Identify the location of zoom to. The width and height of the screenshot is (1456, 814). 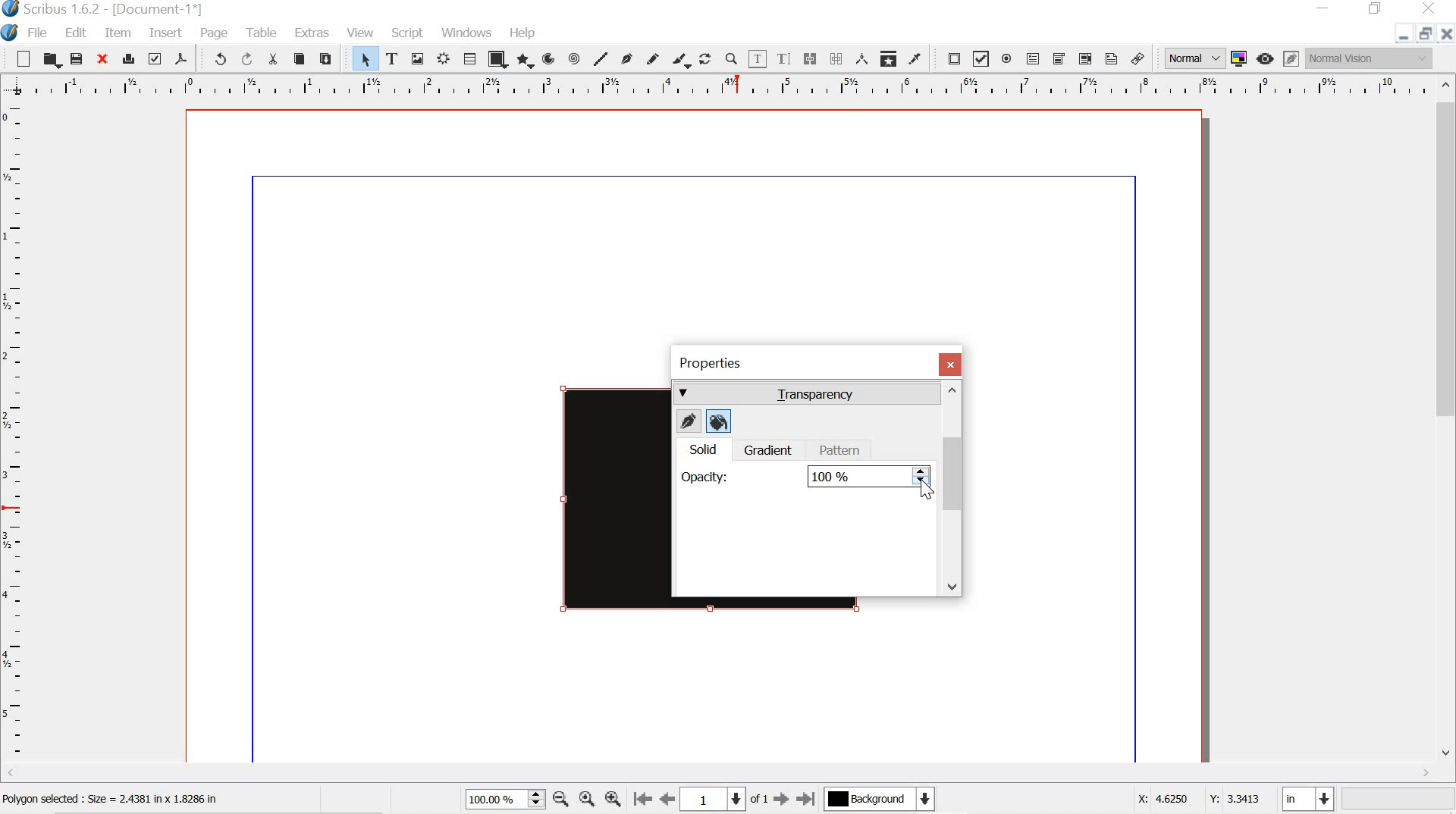
(585, 799).